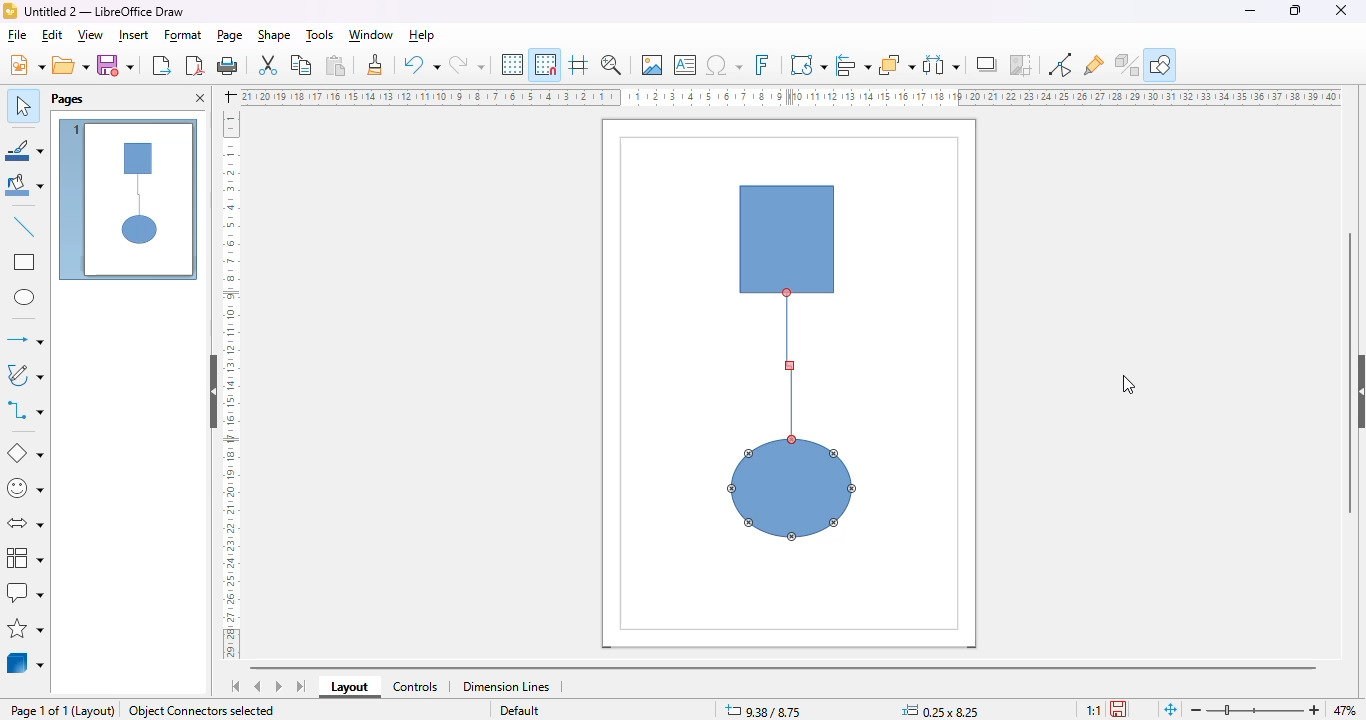  Describe the element at coordinates (1311, 710) in the screenshot. I see `zoom in` at that location.